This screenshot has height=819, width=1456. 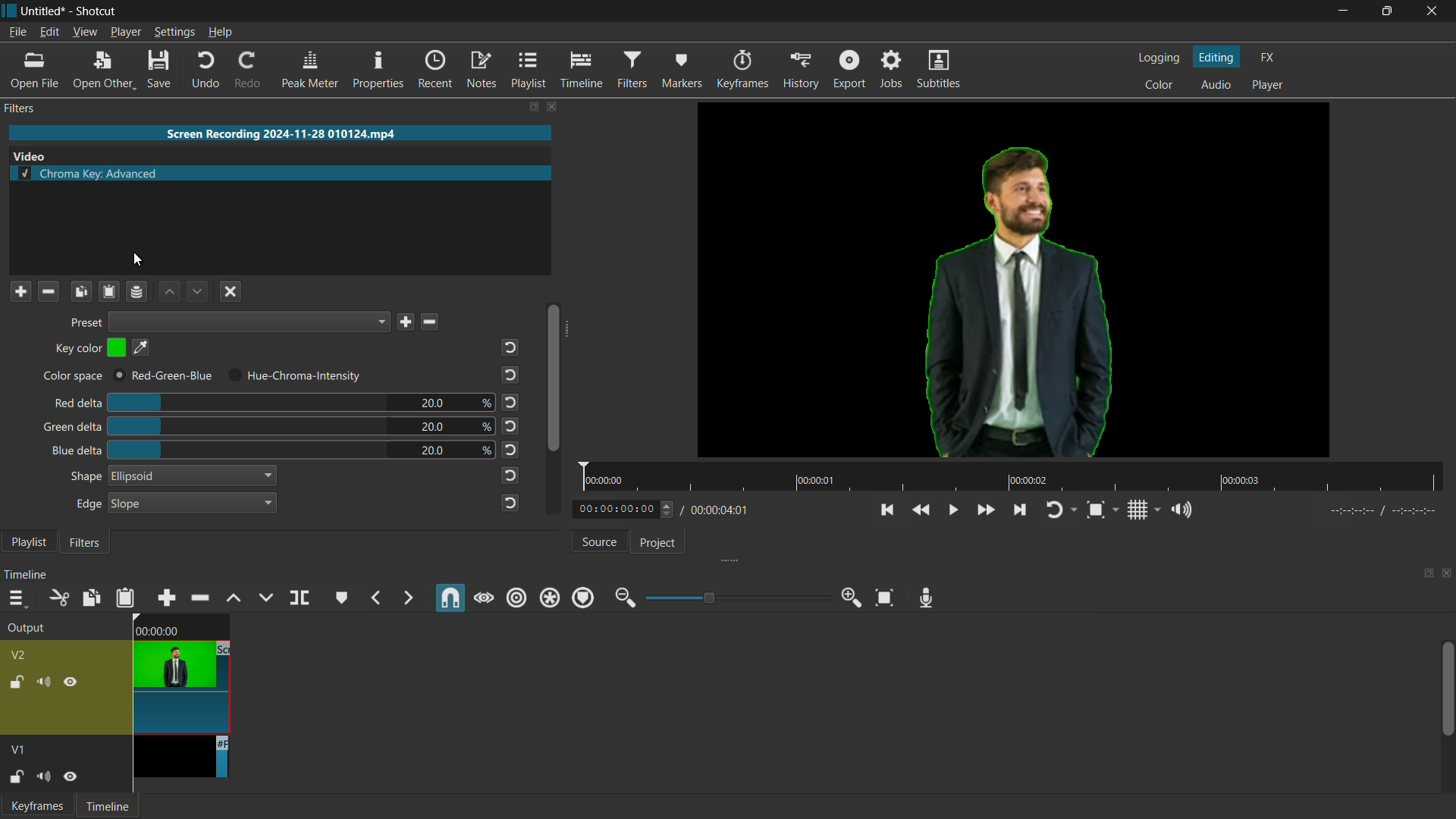 I want to click on Plus, so click(x=21, y=290).